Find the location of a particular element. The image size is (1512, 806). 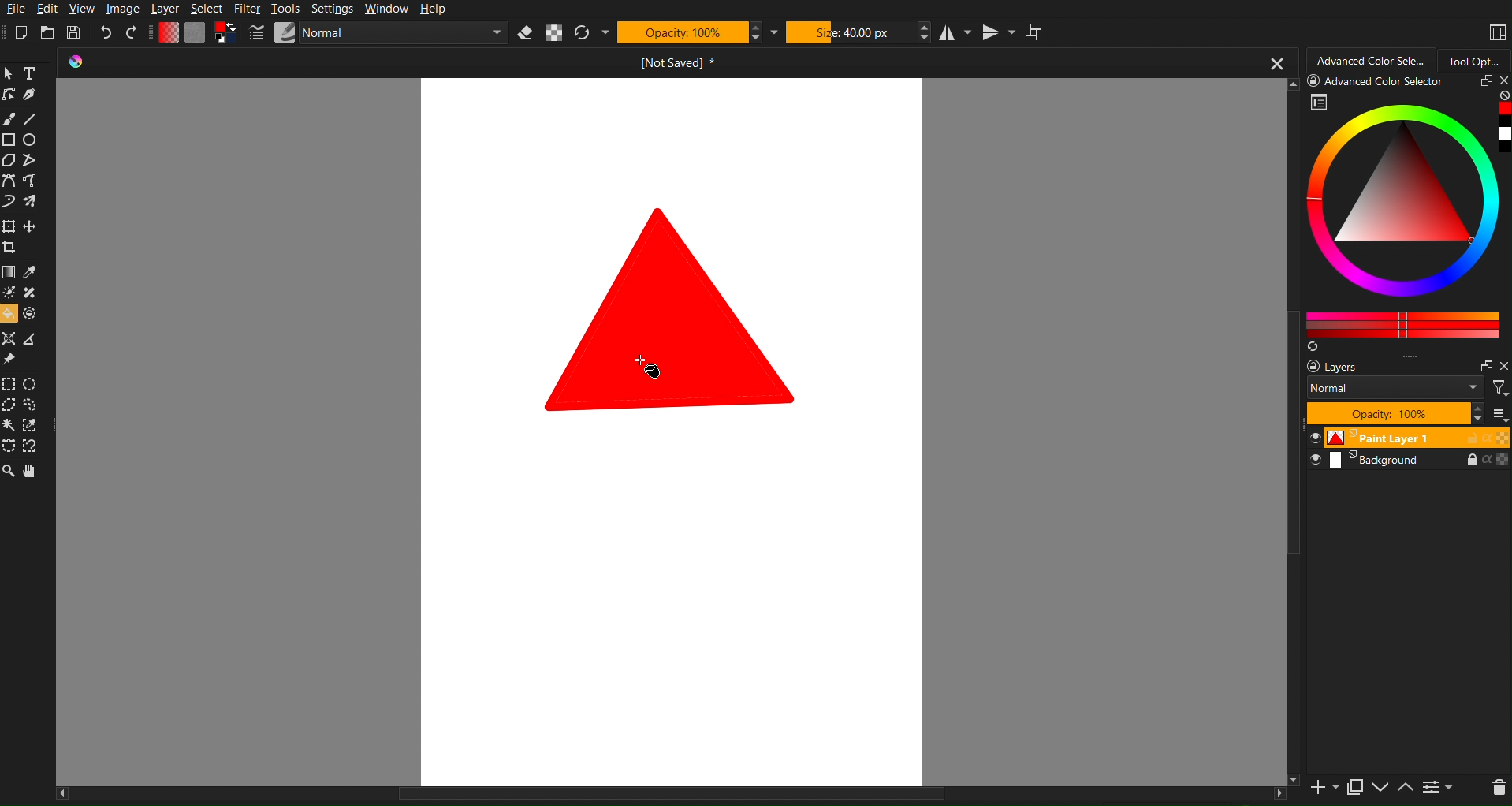

move a layer is located at coordinates (31, 226).